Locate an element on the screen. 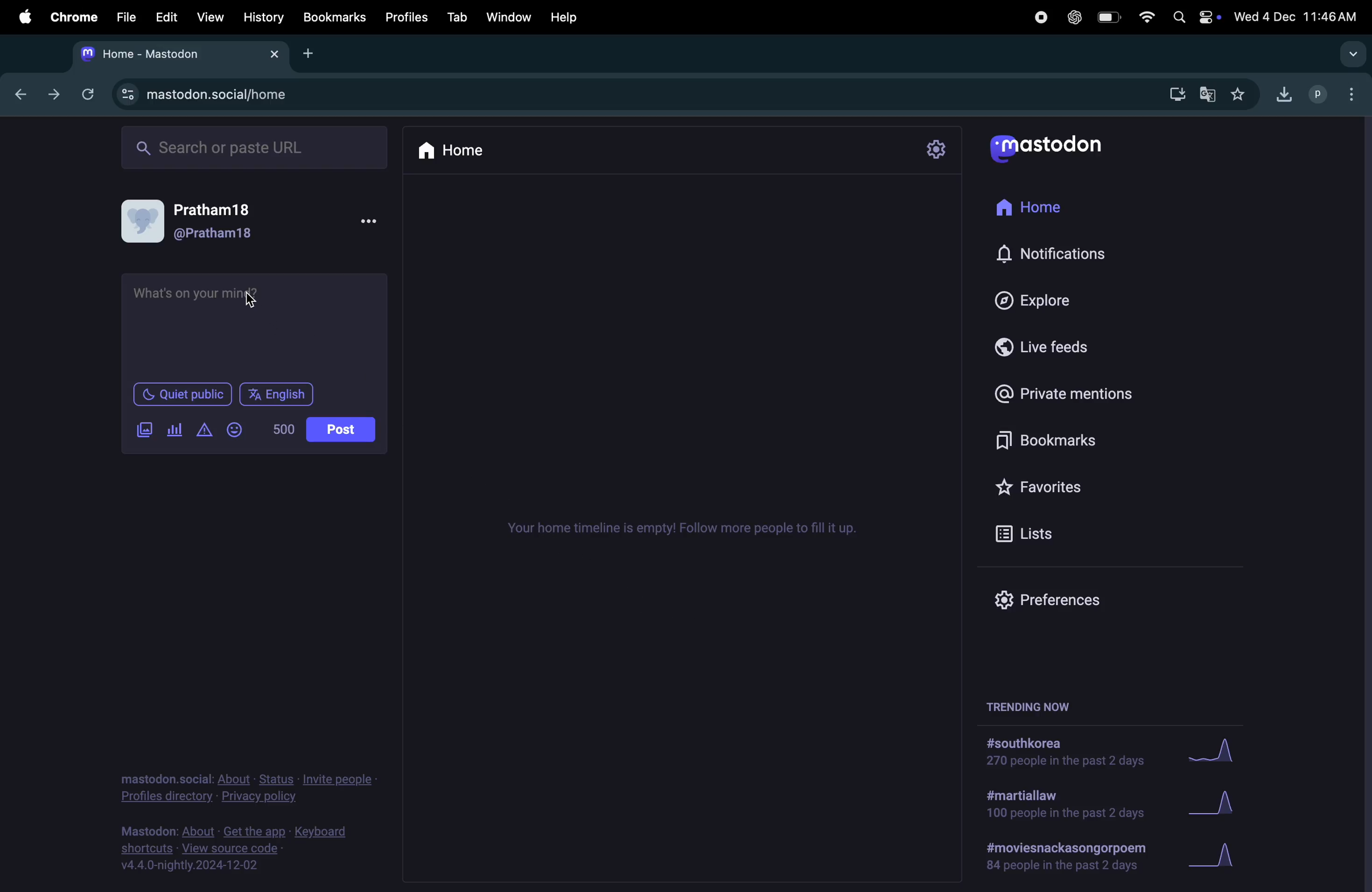 This screenshot has width=1372, height=892. record is located at coordinates (1039, 17).